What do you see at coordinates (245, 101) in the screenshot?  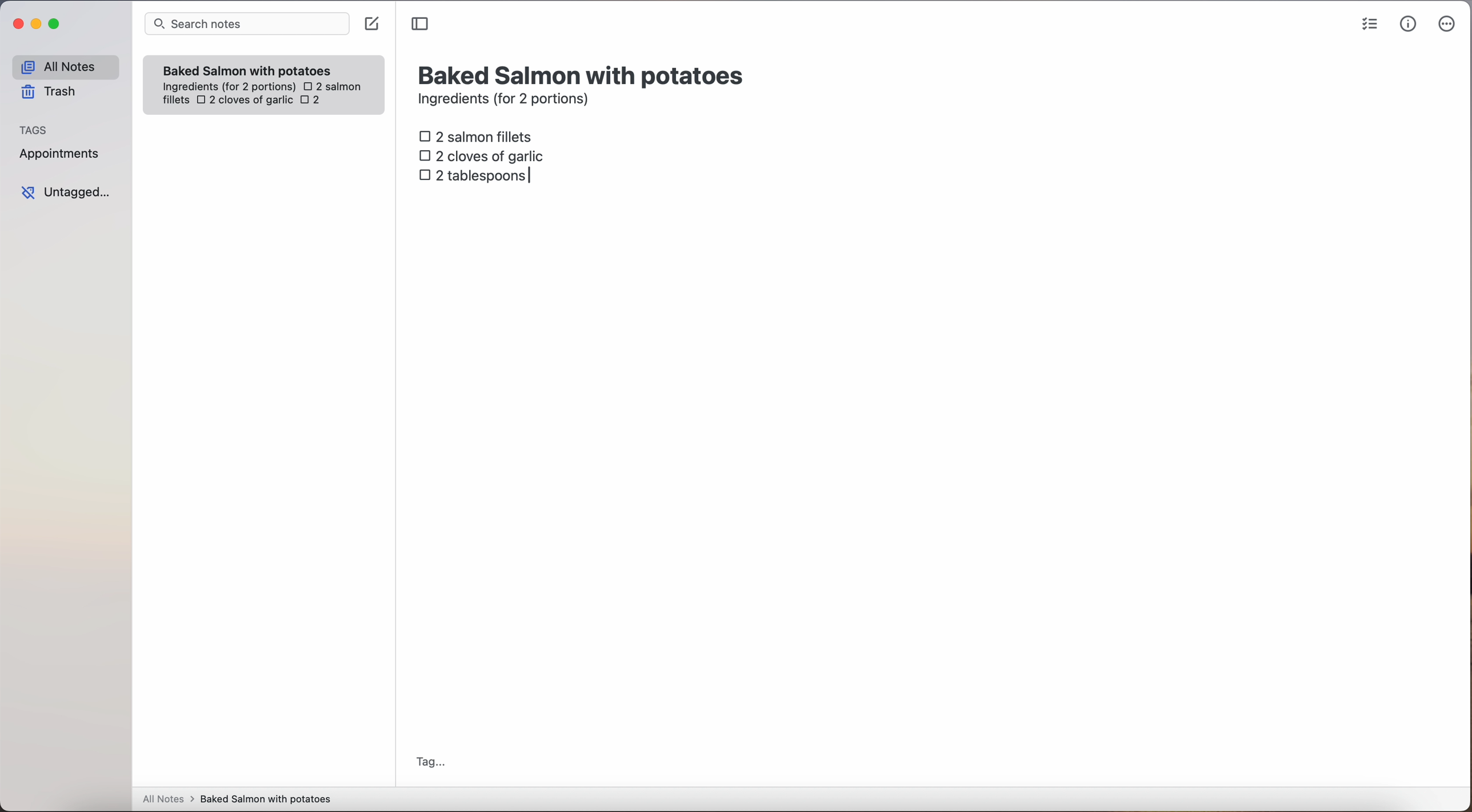 I see `2 cloves of garlic` at bounding box center [245, 101].